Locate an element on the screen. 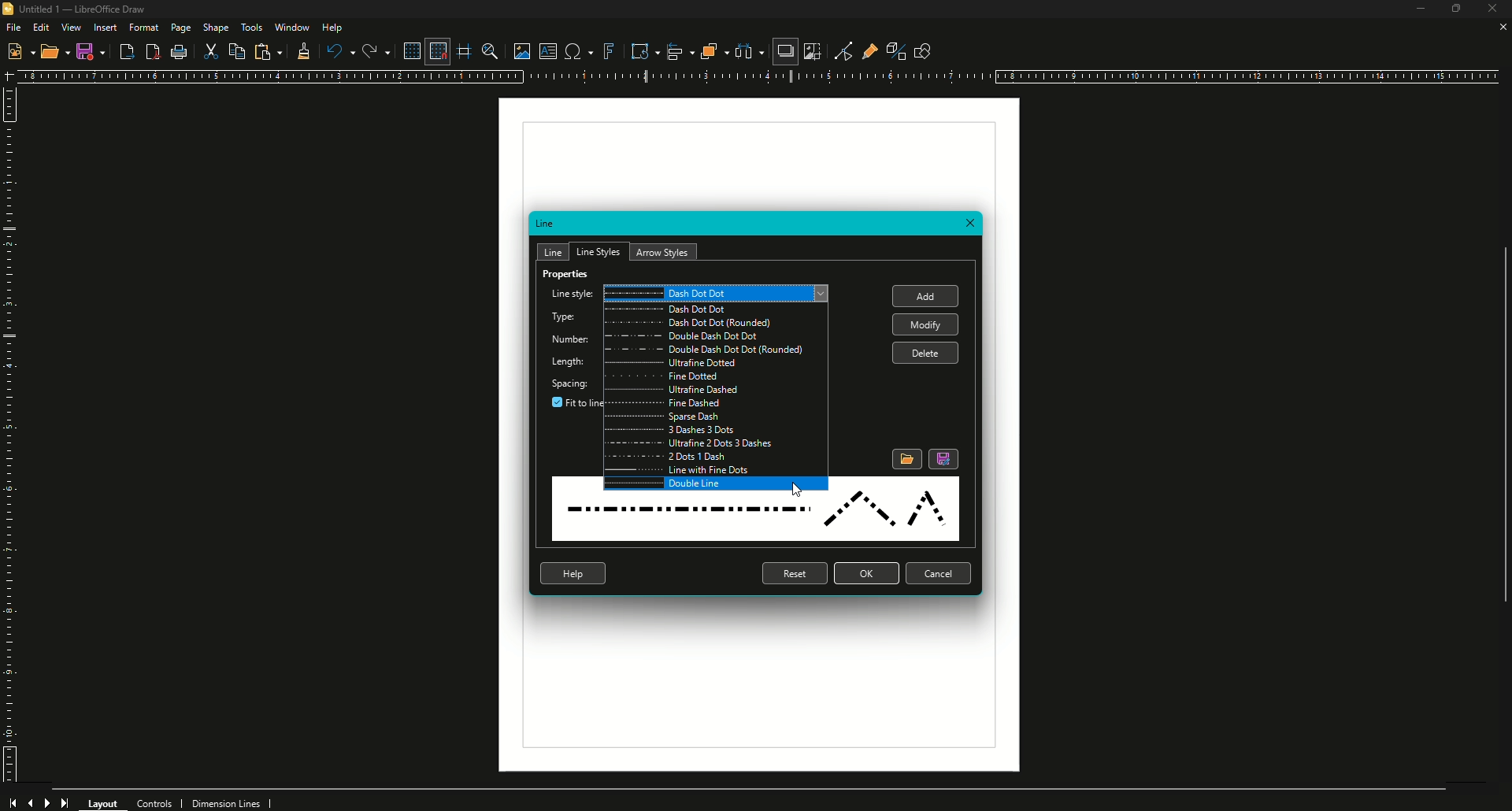 The image size is (1512, 811). Number is located at coordinates (570, 340).